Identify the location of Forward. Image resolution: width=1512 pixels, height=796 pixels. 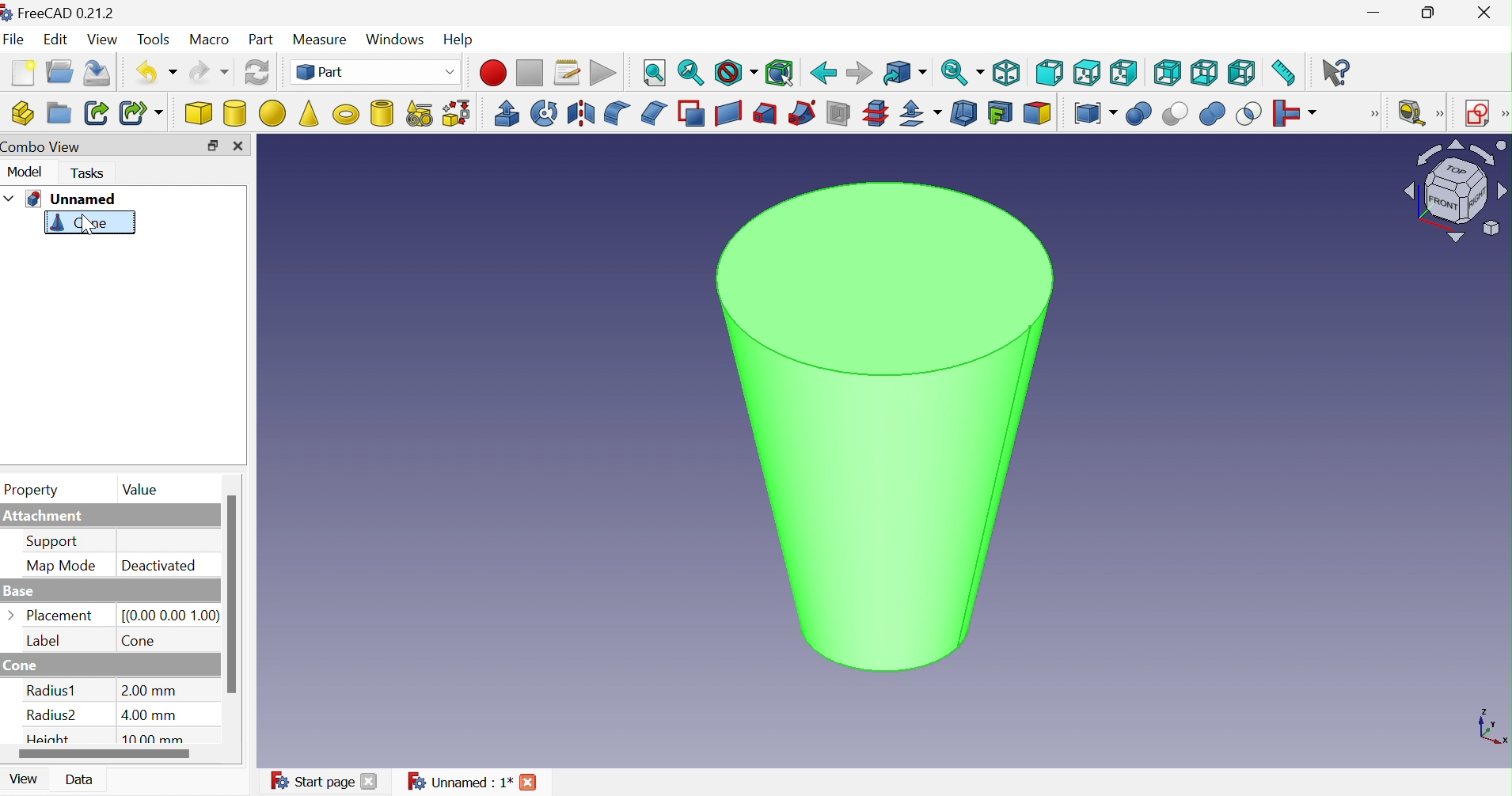
(857, 74).